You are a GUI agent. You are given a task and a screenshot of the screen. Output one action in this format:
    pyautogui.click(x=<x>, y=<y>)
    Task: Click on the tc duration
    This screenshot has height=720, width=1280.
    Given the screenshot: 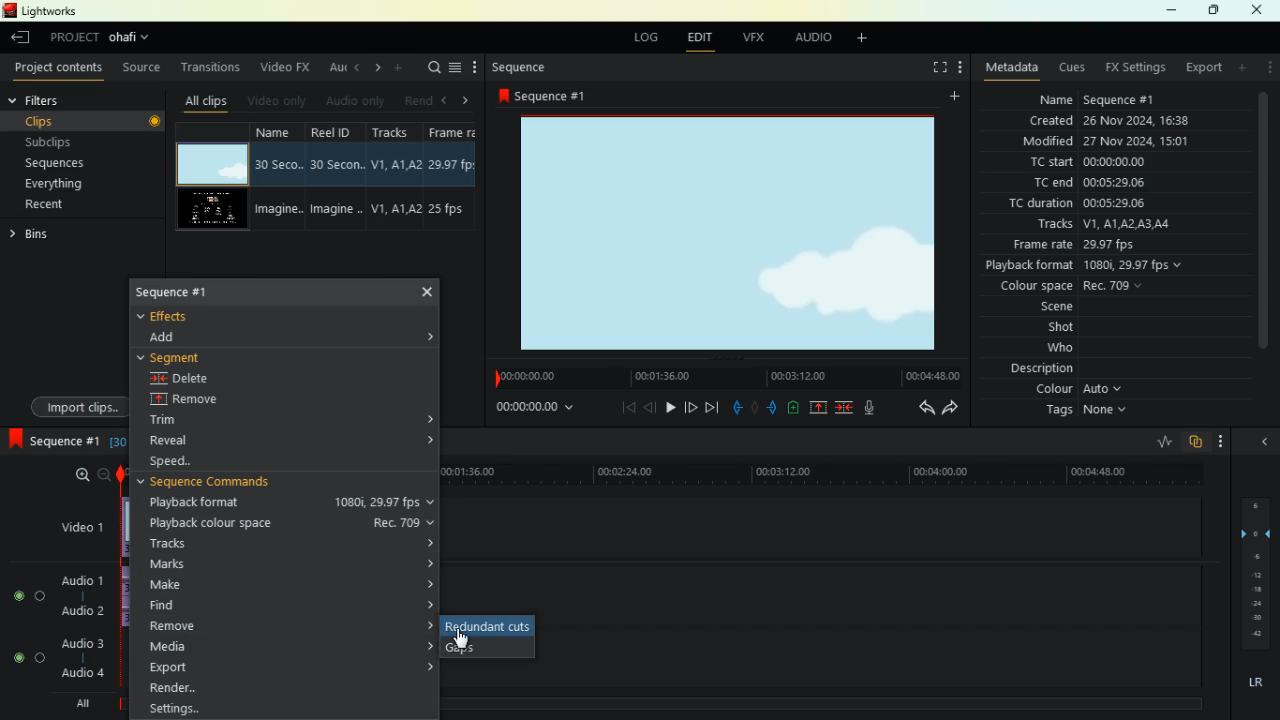 What is the action you would take?
    pyautogui.click(x=1116, y=202)
    